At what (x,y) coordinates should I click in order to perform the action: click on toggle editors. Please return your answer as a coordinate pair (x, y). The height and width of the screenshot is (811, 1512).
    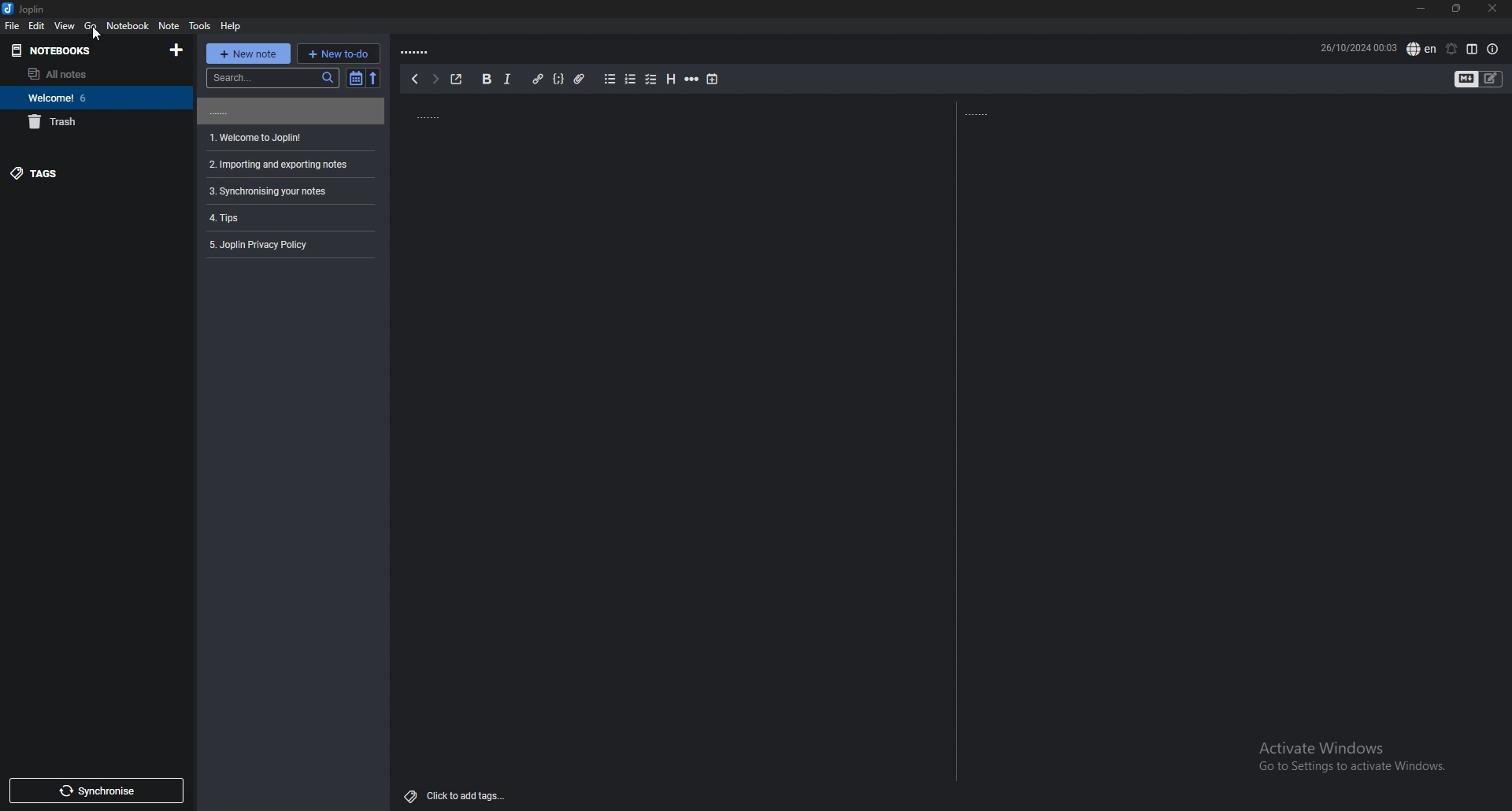
    Looking at the image, I should click on (1492, 80).